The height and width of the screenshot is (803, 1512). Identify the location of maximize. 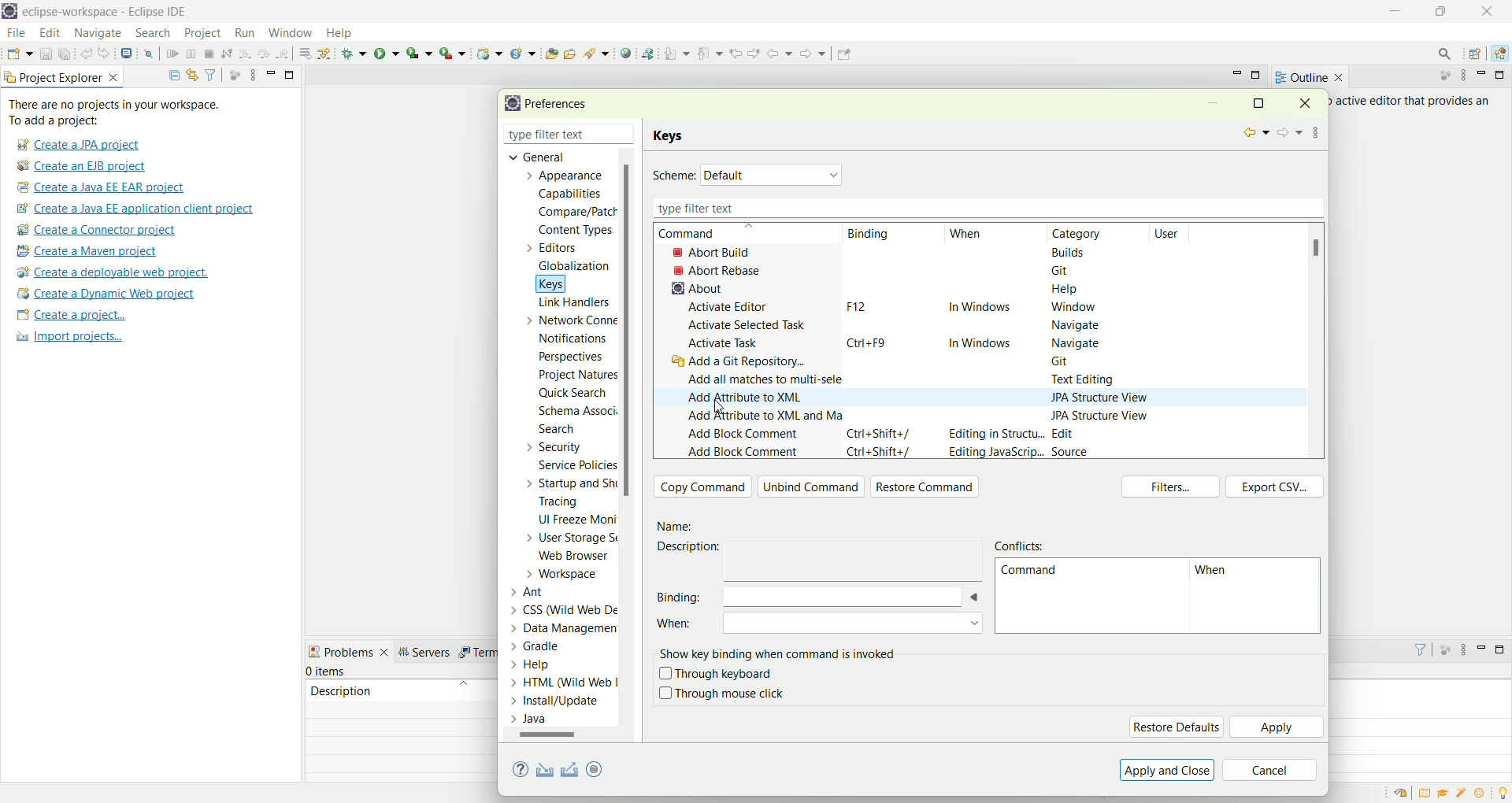
(291, 73).